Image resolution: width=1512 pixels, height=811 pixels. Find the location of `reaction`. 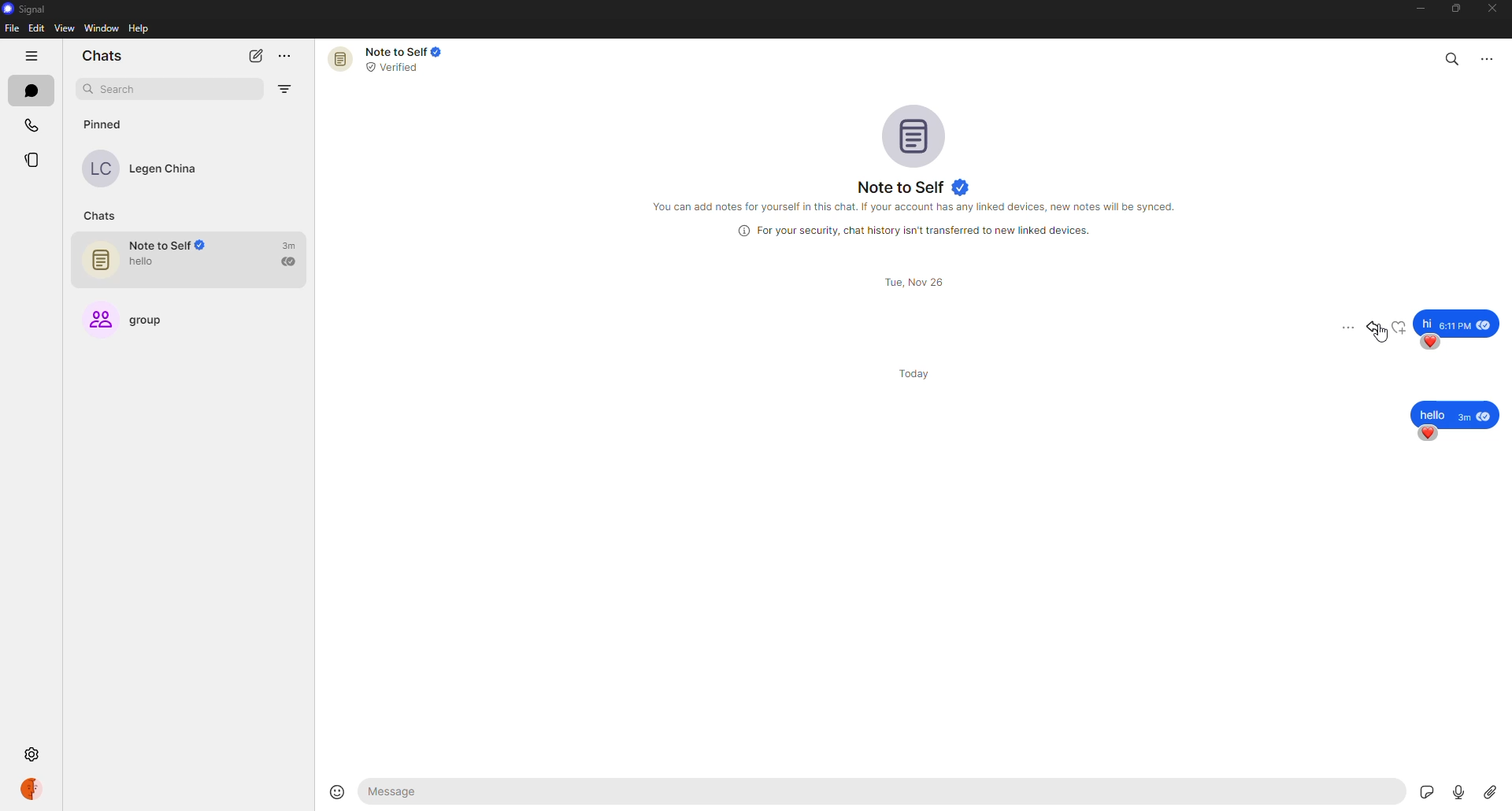

reaction is located at coordinates (1426, 434).